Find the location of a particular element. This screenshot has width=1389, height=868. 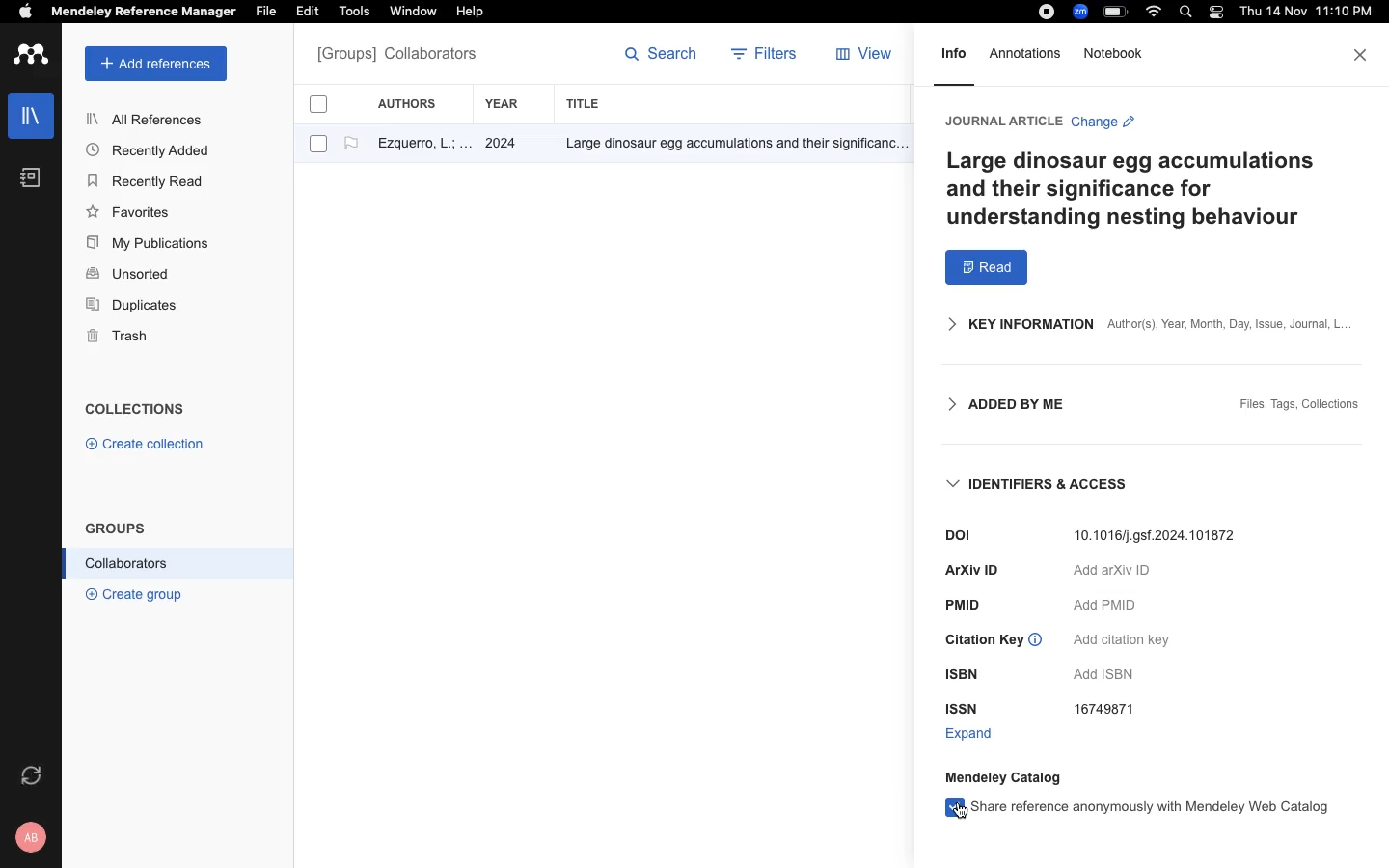

KEY INFORMATION
| is located at coordinates (1010, 324).